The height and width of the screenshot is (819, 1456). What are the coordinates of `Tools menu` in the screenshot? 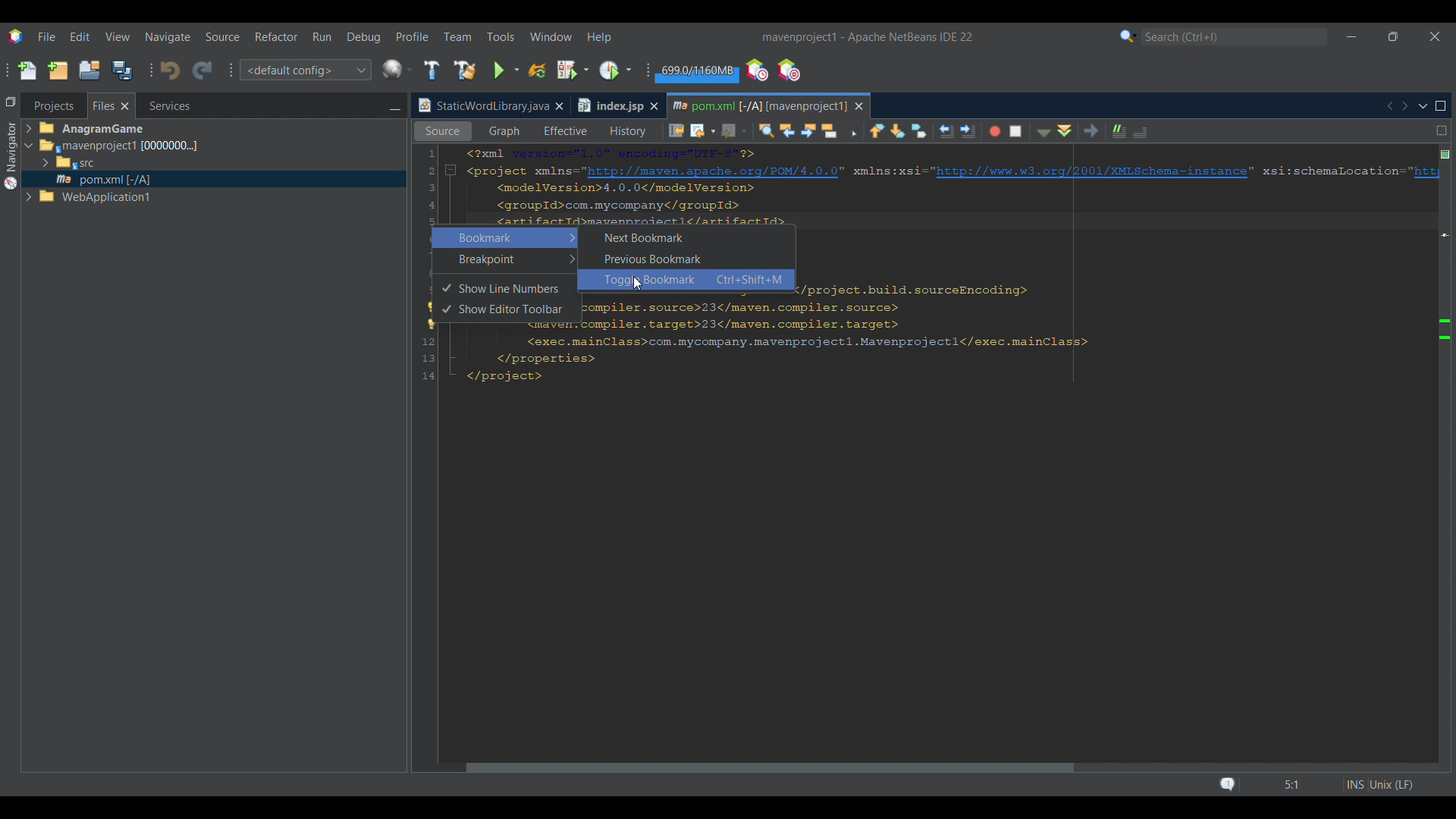 It's located at (500, 36).